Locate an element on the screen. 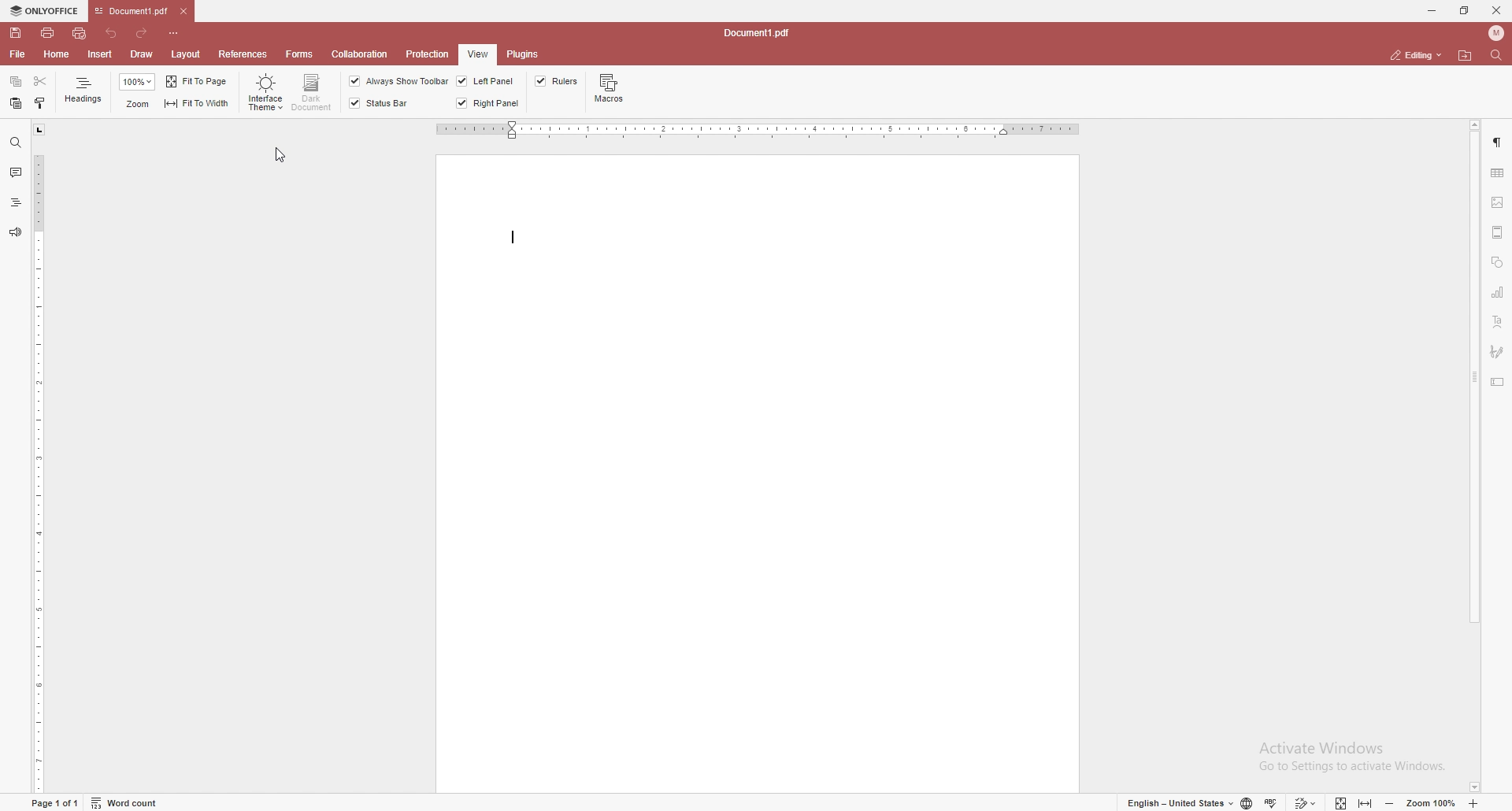  macros is located at coordinates (611, 90).